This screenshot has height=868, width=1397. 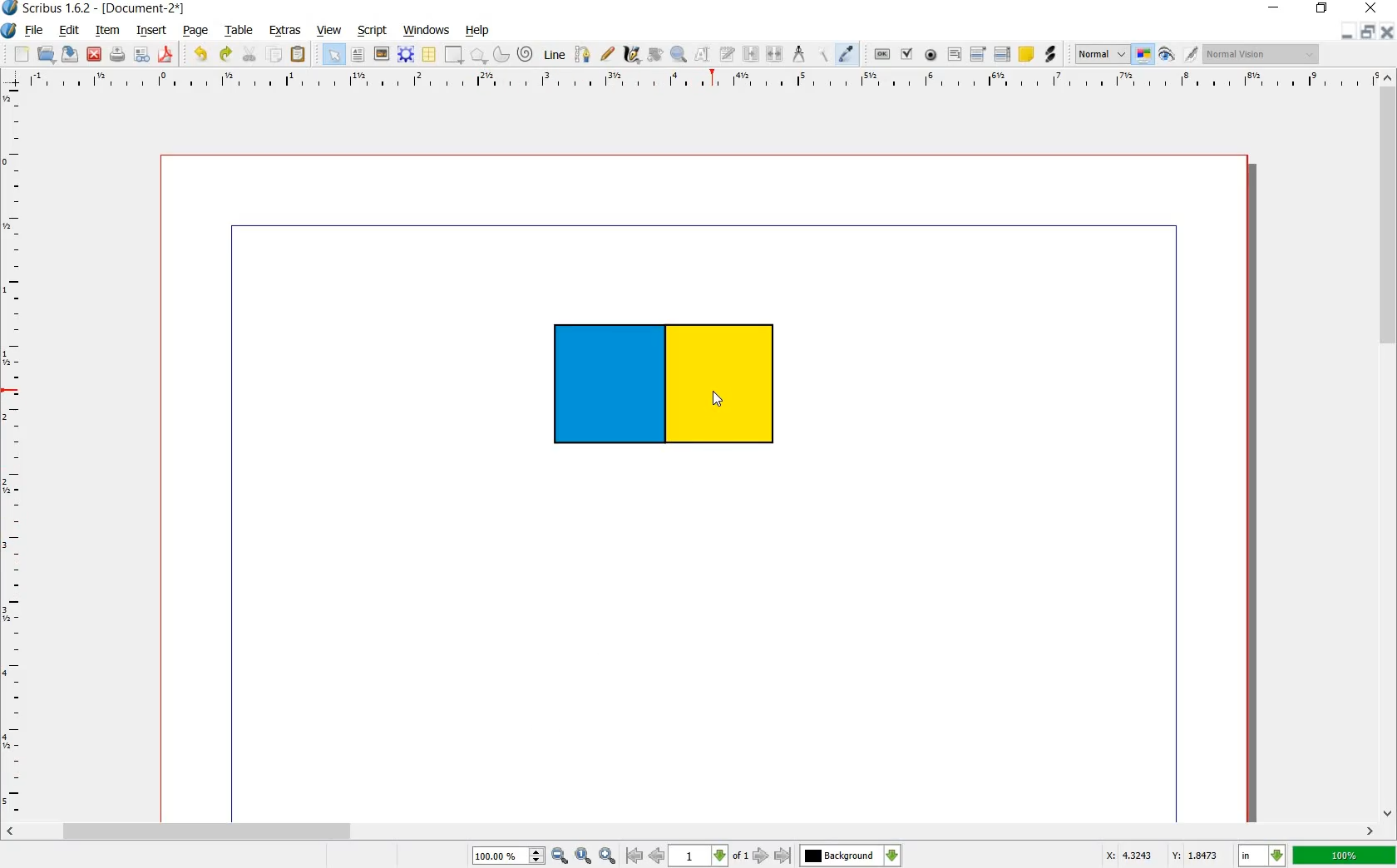 What do you see at coordinates (761, 856) in the screenshot?
I see `go to next page` at bounding box center [761, 856].